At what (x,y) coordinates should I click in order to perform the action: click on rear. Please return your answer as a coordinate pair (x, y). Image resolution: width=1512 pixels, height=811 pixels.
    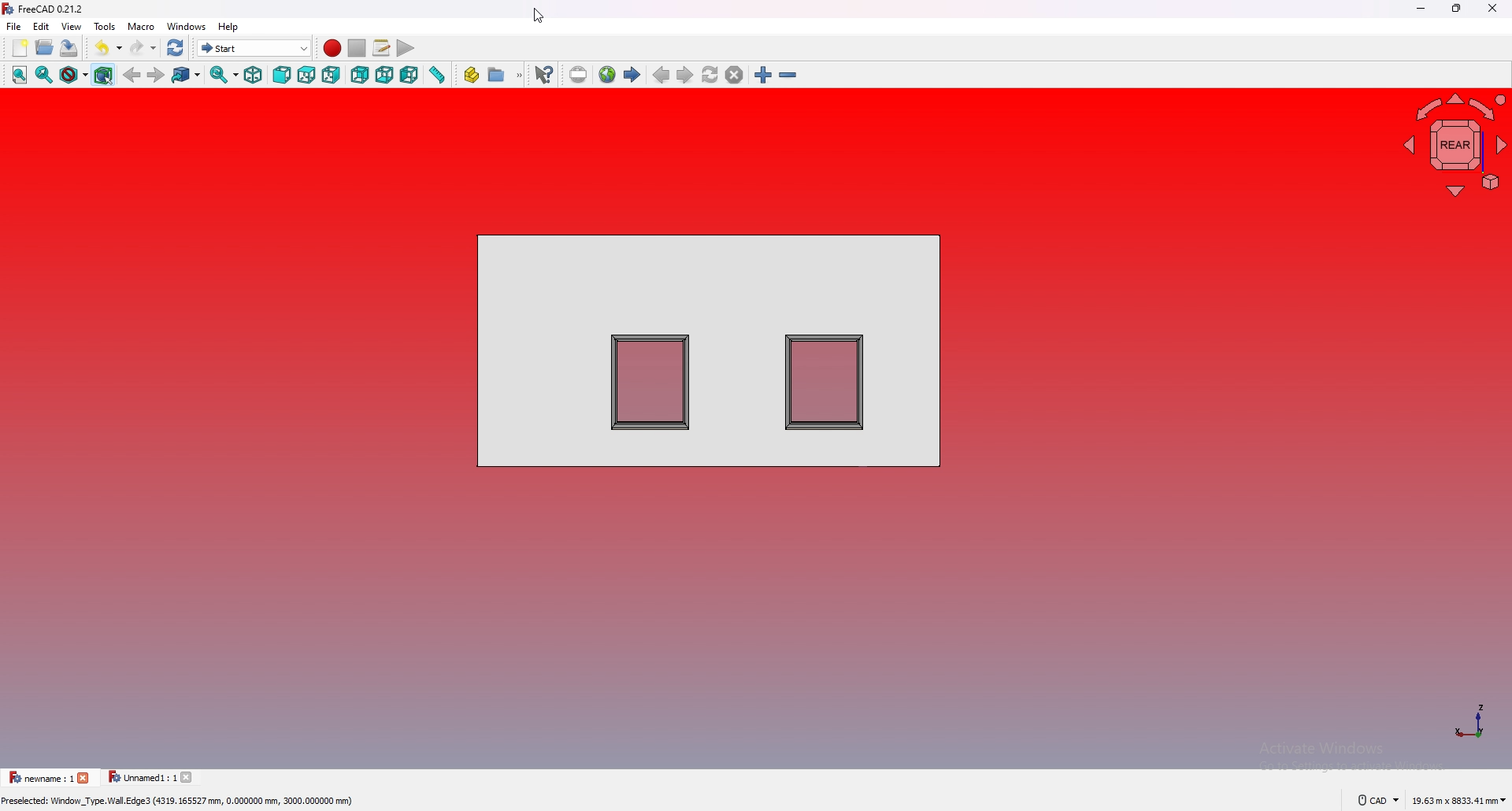
    Looking at the image, I should click on (361, 75).